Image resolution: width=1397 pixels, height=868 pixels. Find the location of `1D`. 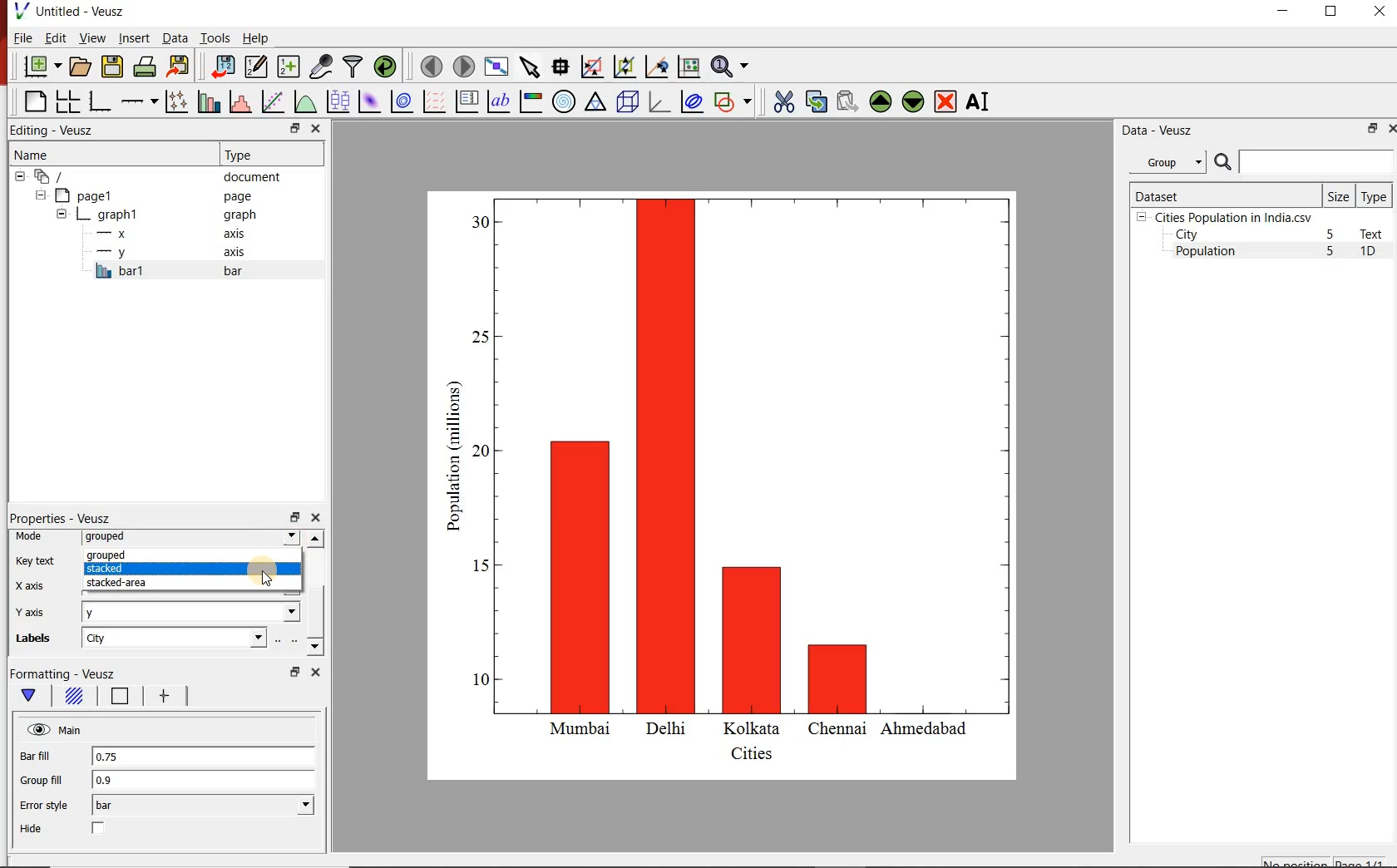

1D is located at coordinates (1375, 253).